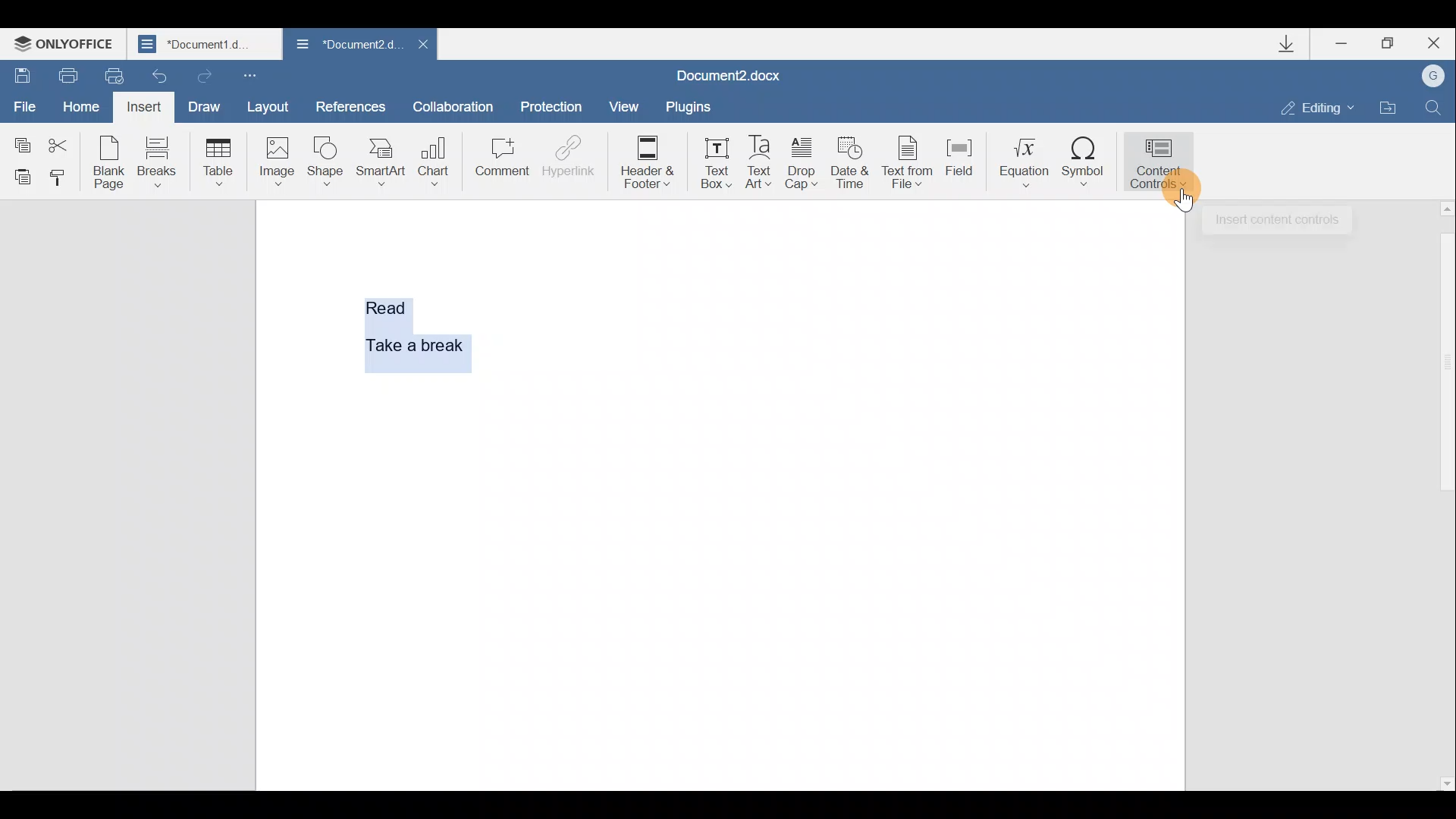  I want to click on Maximize, so click(1394, 42).